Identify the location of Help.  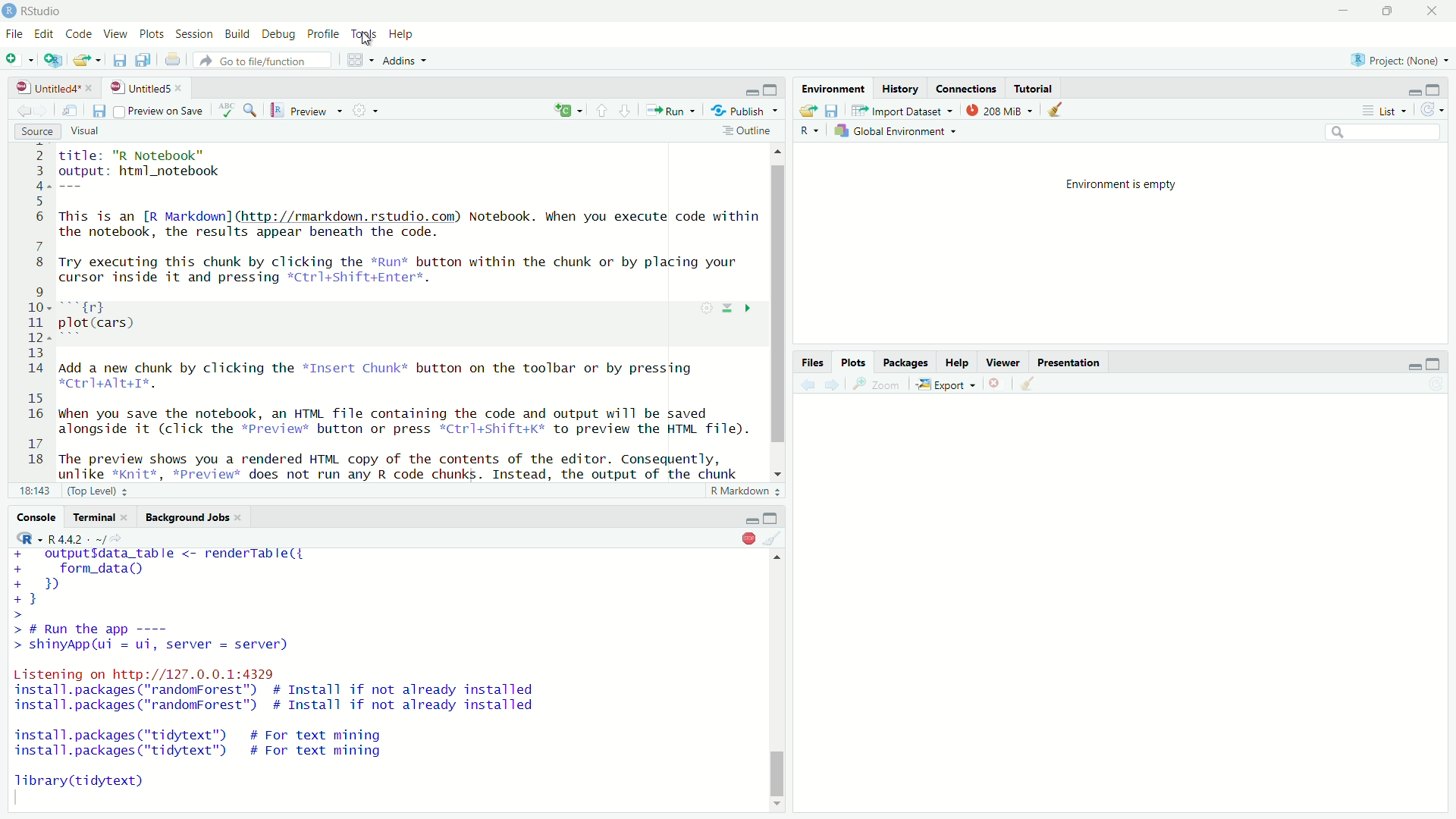
(403, 35).